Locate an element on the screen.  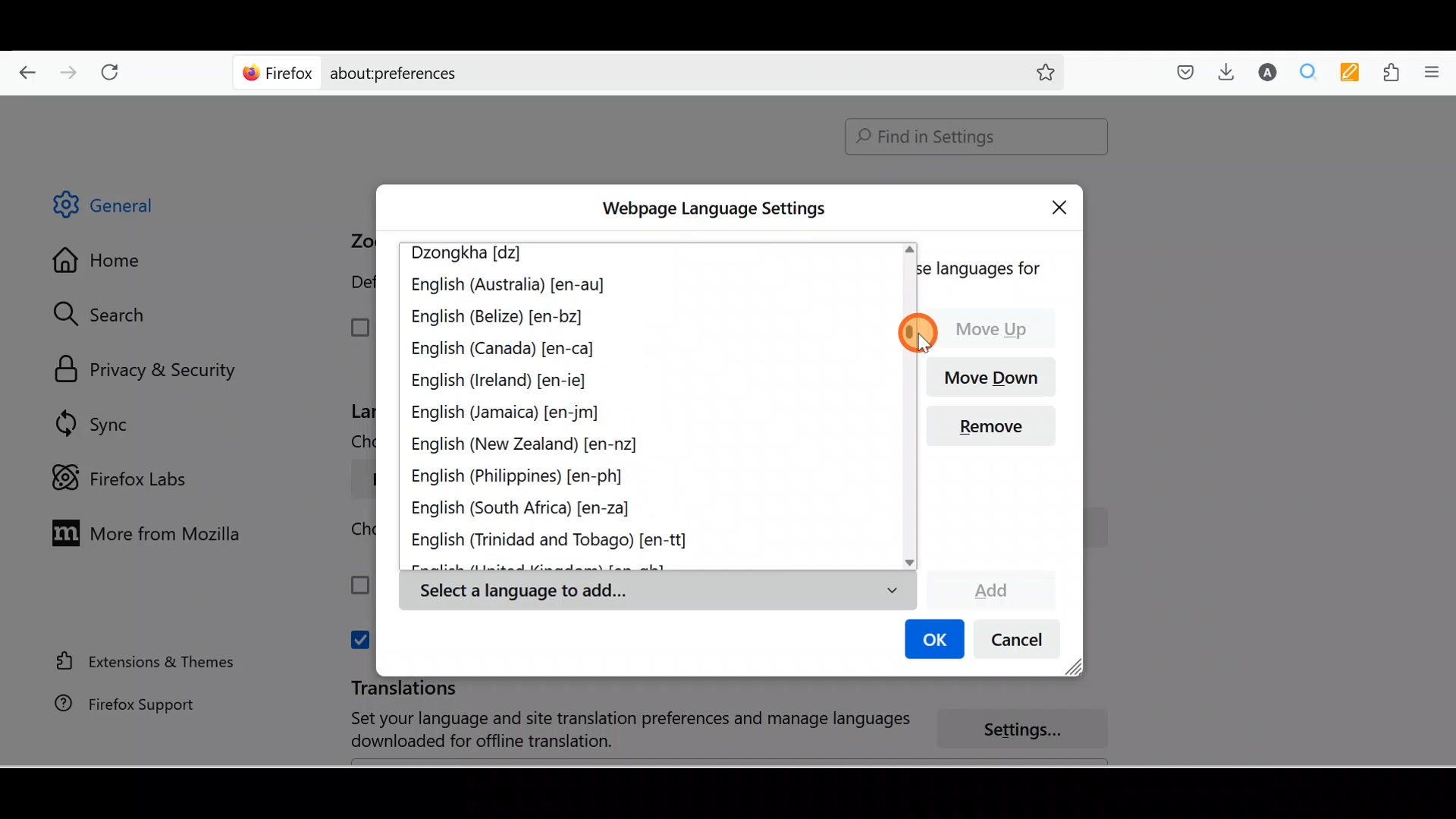
Dzongkha [dz] is located at coordinates (476, 255).